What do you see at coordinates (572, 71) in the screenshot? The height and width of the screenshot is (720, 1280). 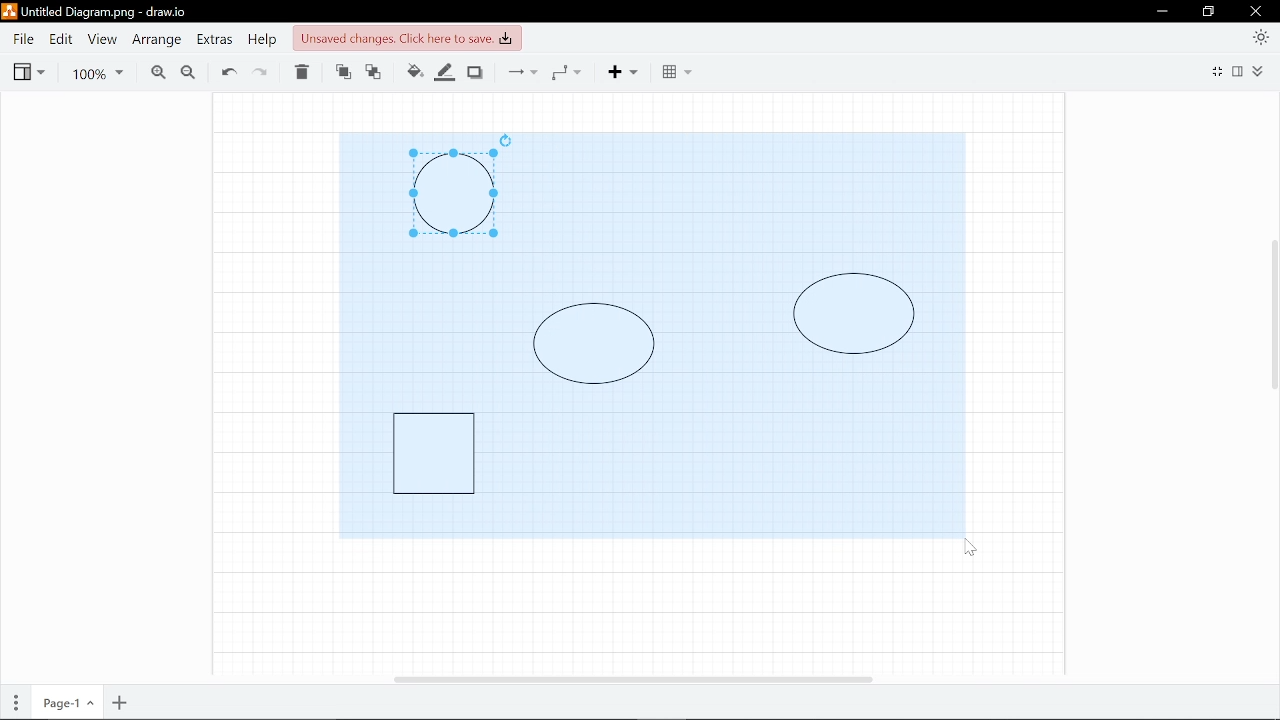 I see `Waypoints` at bounding box center [572, 71].